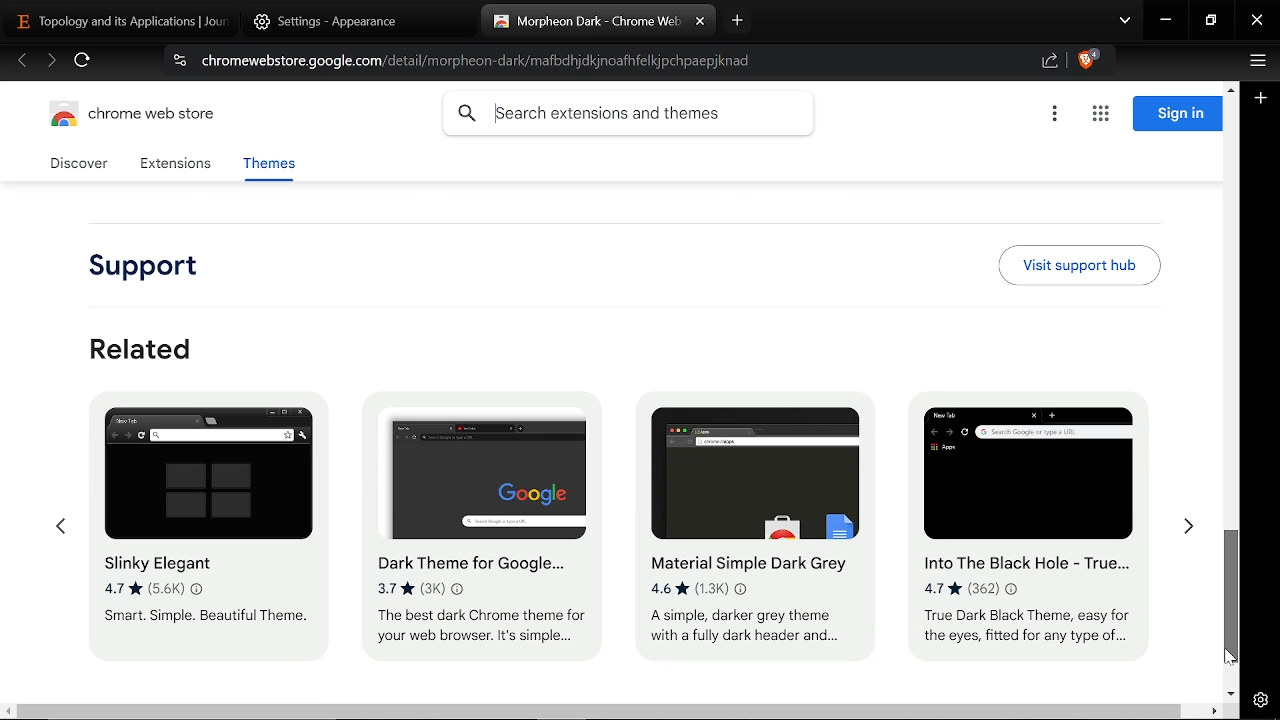 This screenshot has height=720, width=1280. I want to click on Themes, so click(268, 167).